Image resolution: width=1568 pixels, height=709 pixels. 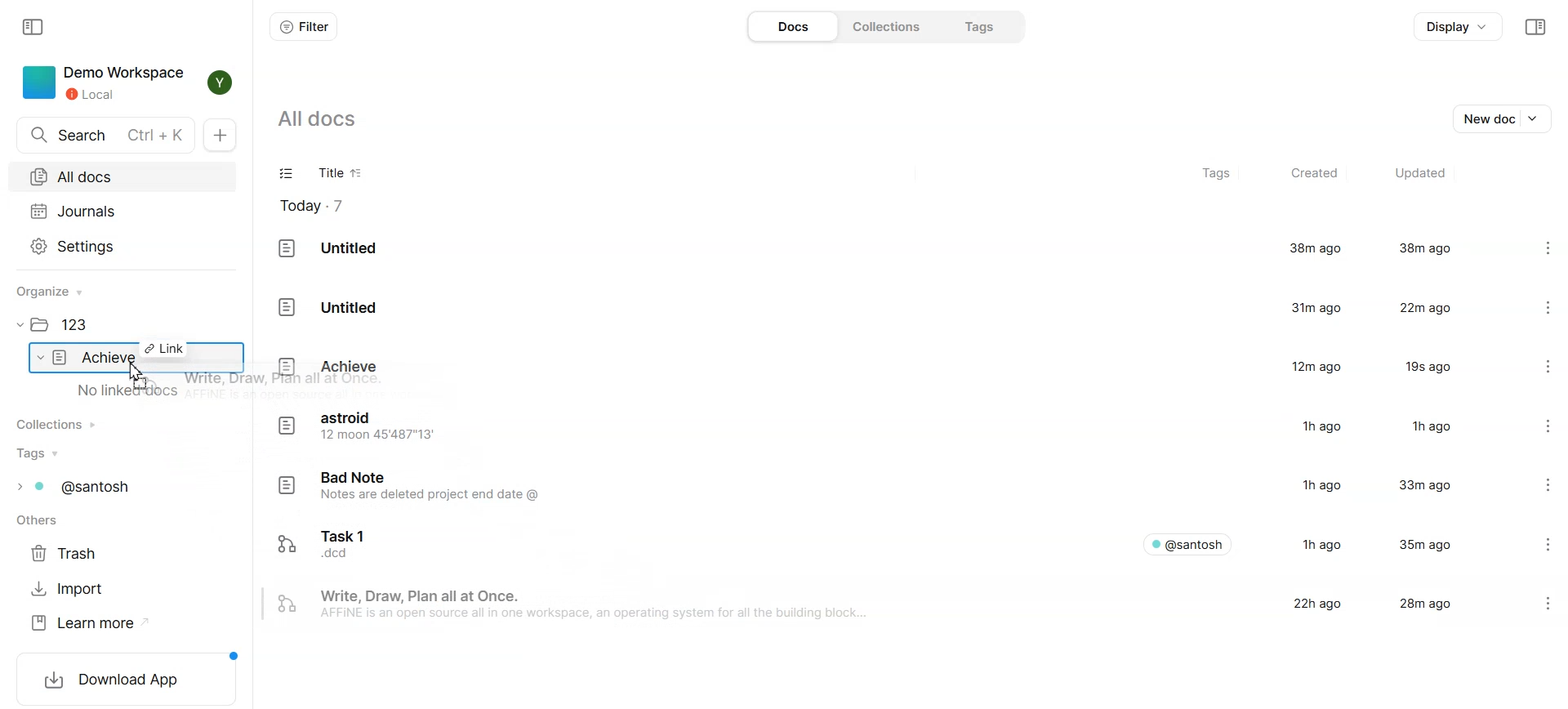 What do you see at coordinates (287, 175) in the screenshot?
I see `Checklist` at bounding box center [287, 175].